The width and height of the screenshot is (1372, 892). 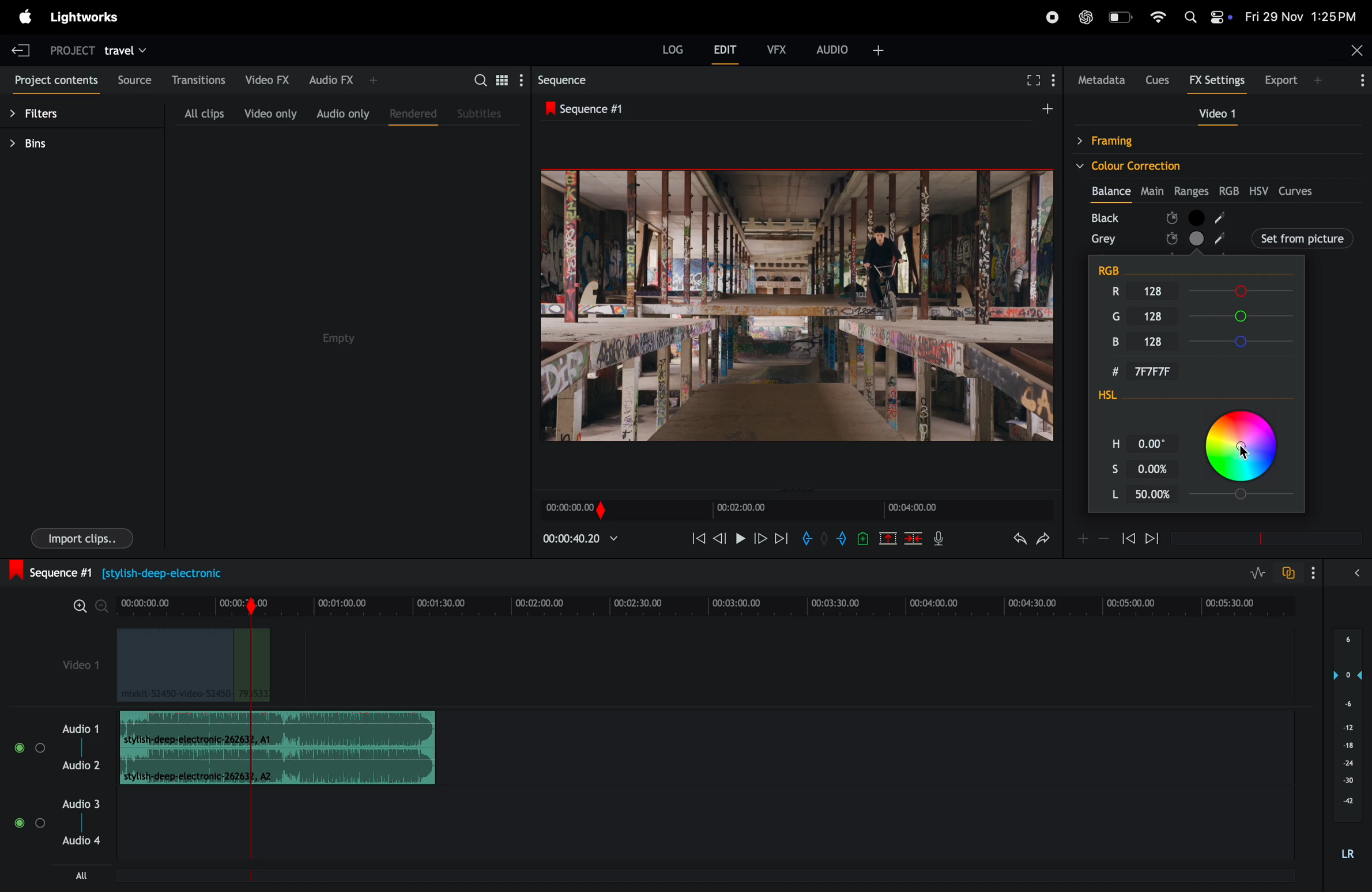 I want to click on G Input, so click(x=1163, y=318).